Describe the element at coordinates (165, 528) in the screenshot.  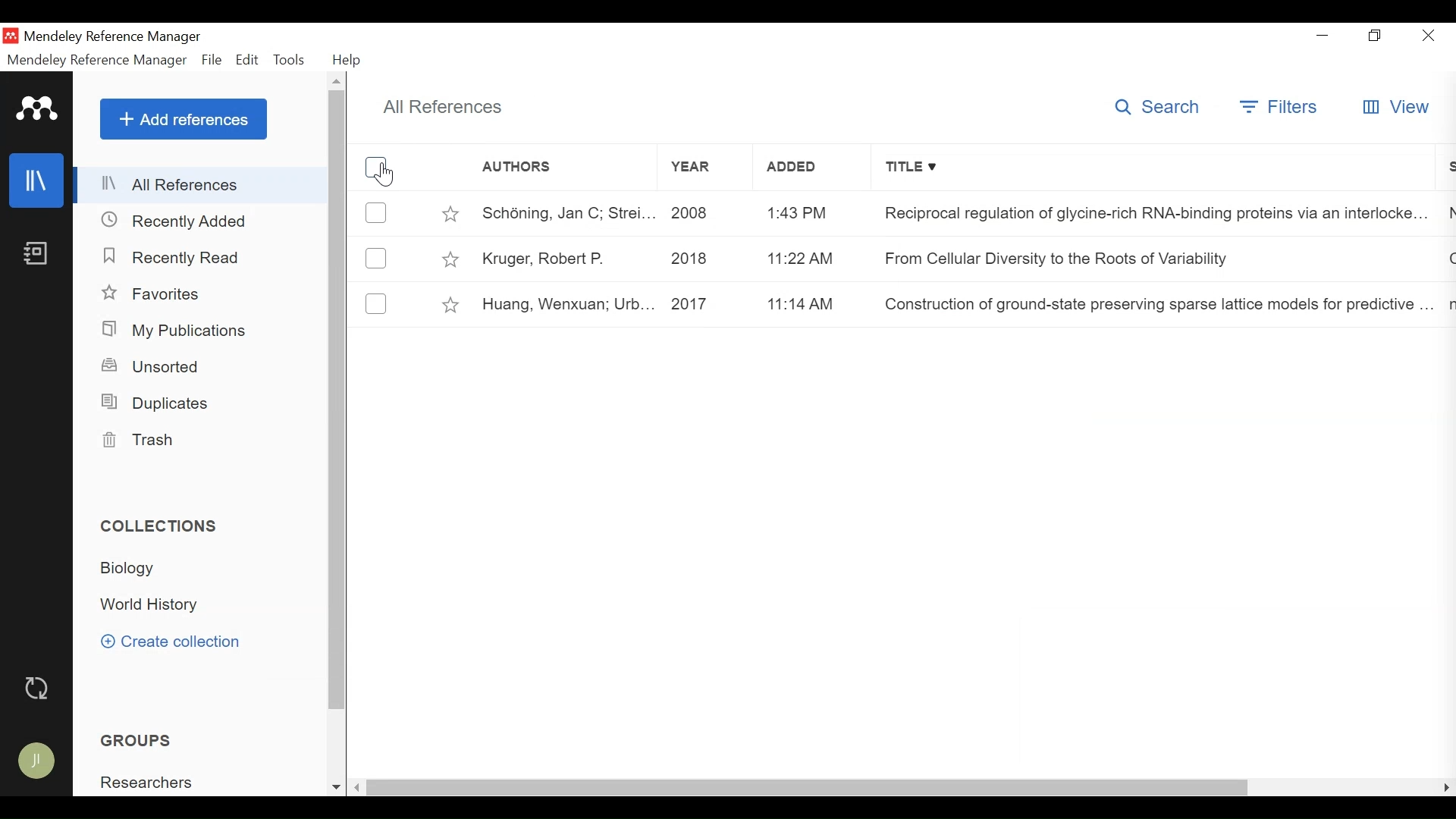
I see `Collection` at that location.